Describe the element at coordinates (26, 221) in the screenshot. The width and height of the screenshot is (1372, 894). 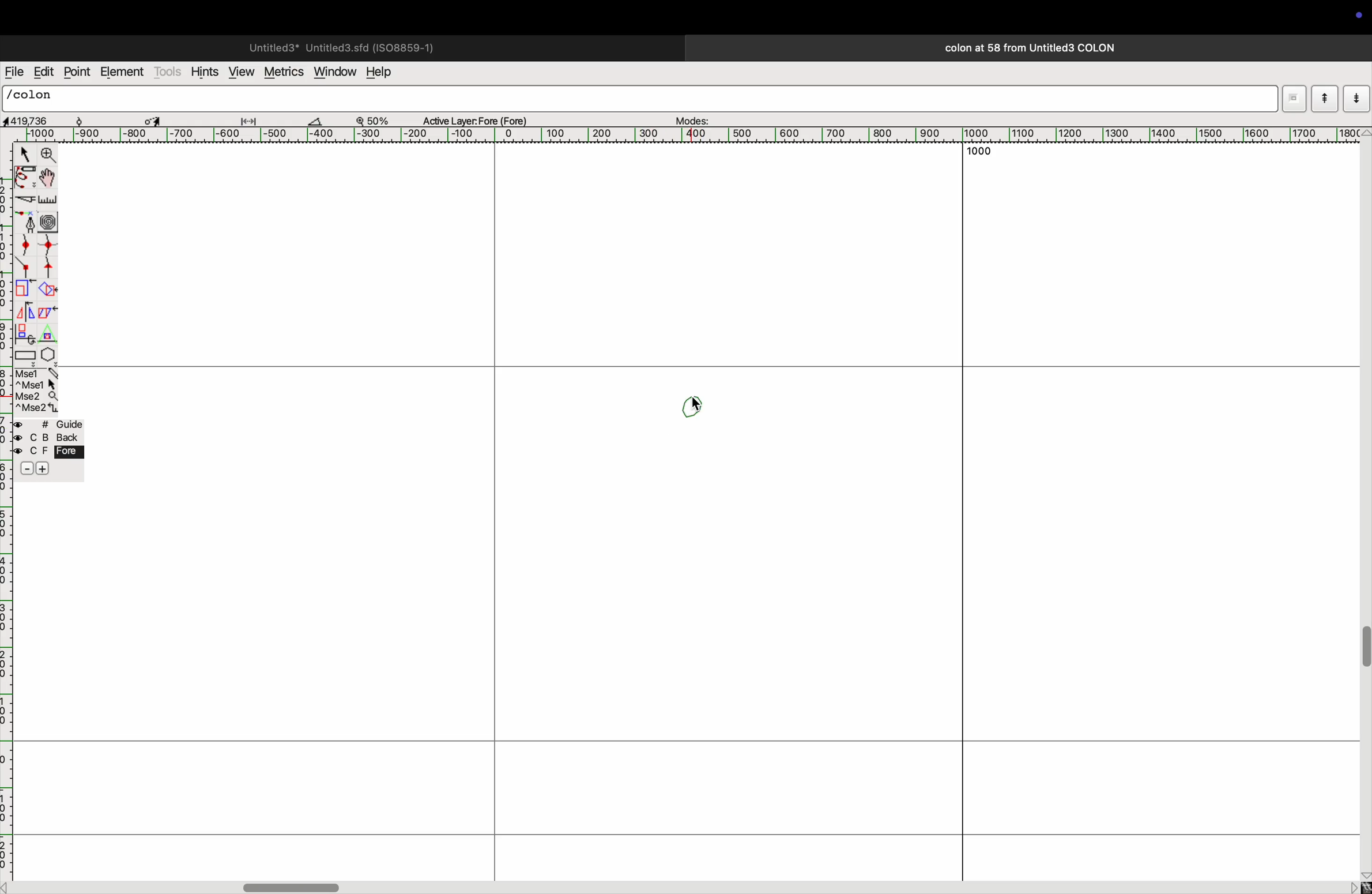
I see `fountain pen` at that location.